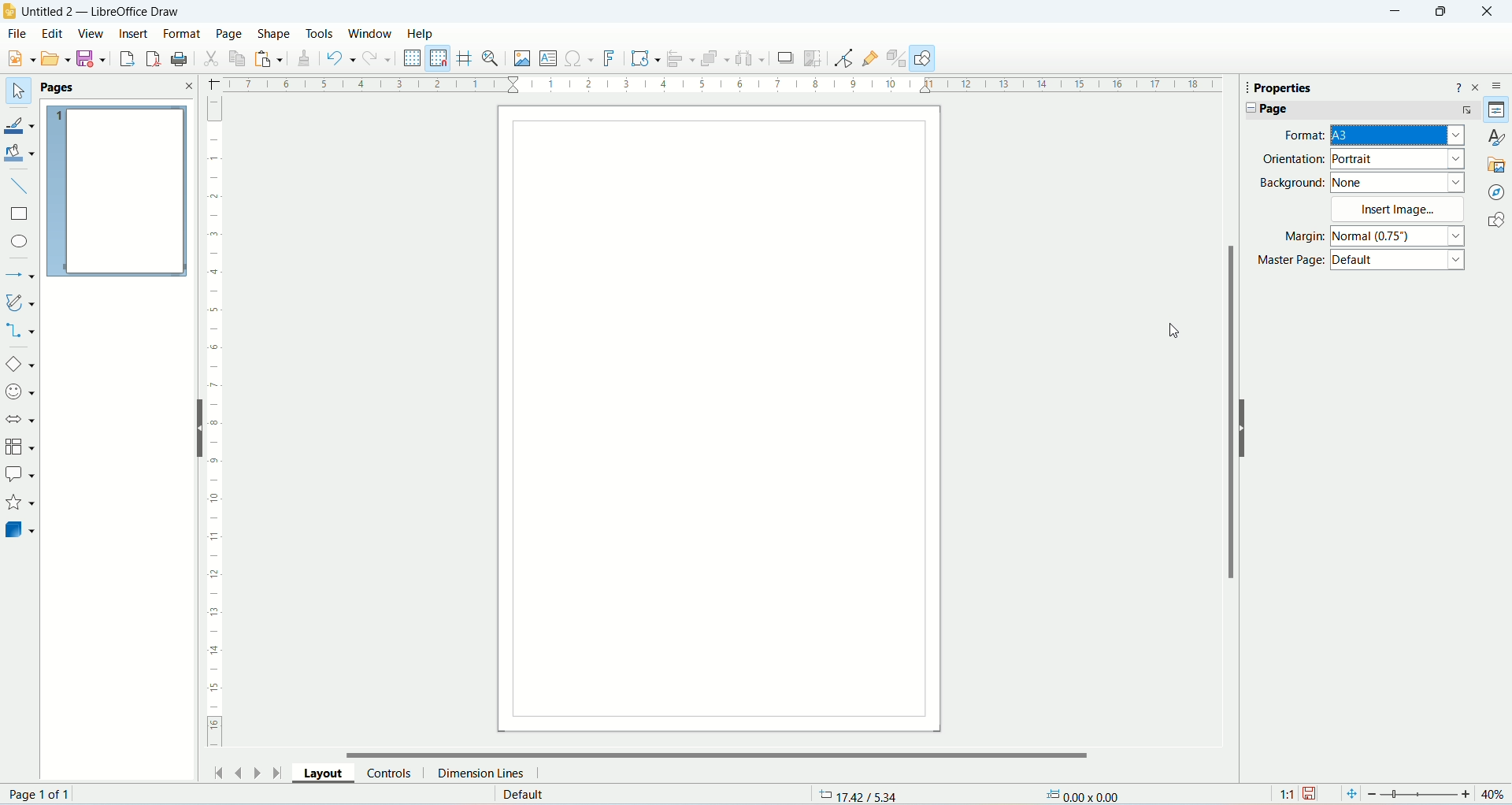  I want to click on help, so click(1458, 90).